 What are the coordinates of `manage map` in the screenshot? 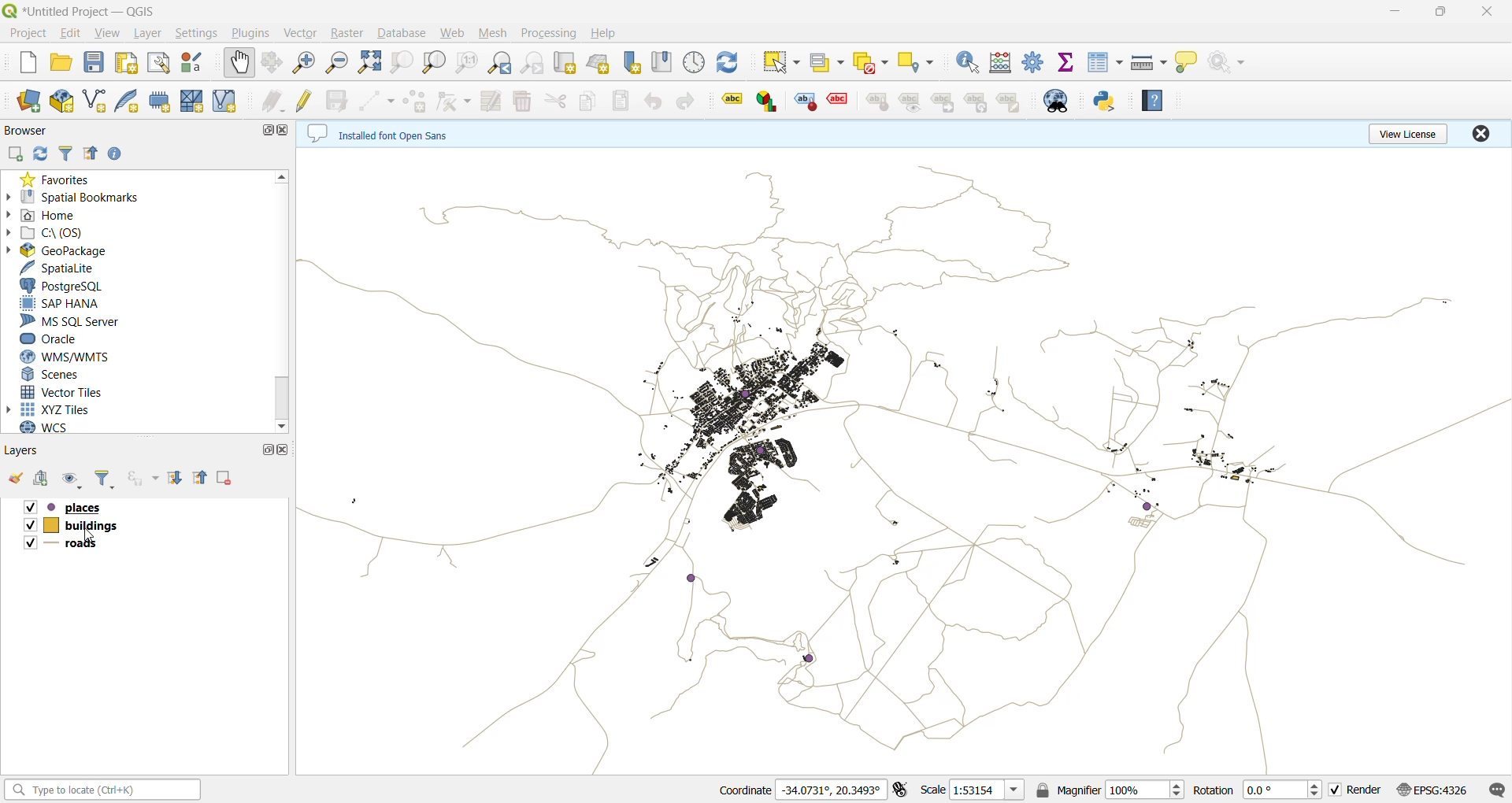 It's located at (72, 480).